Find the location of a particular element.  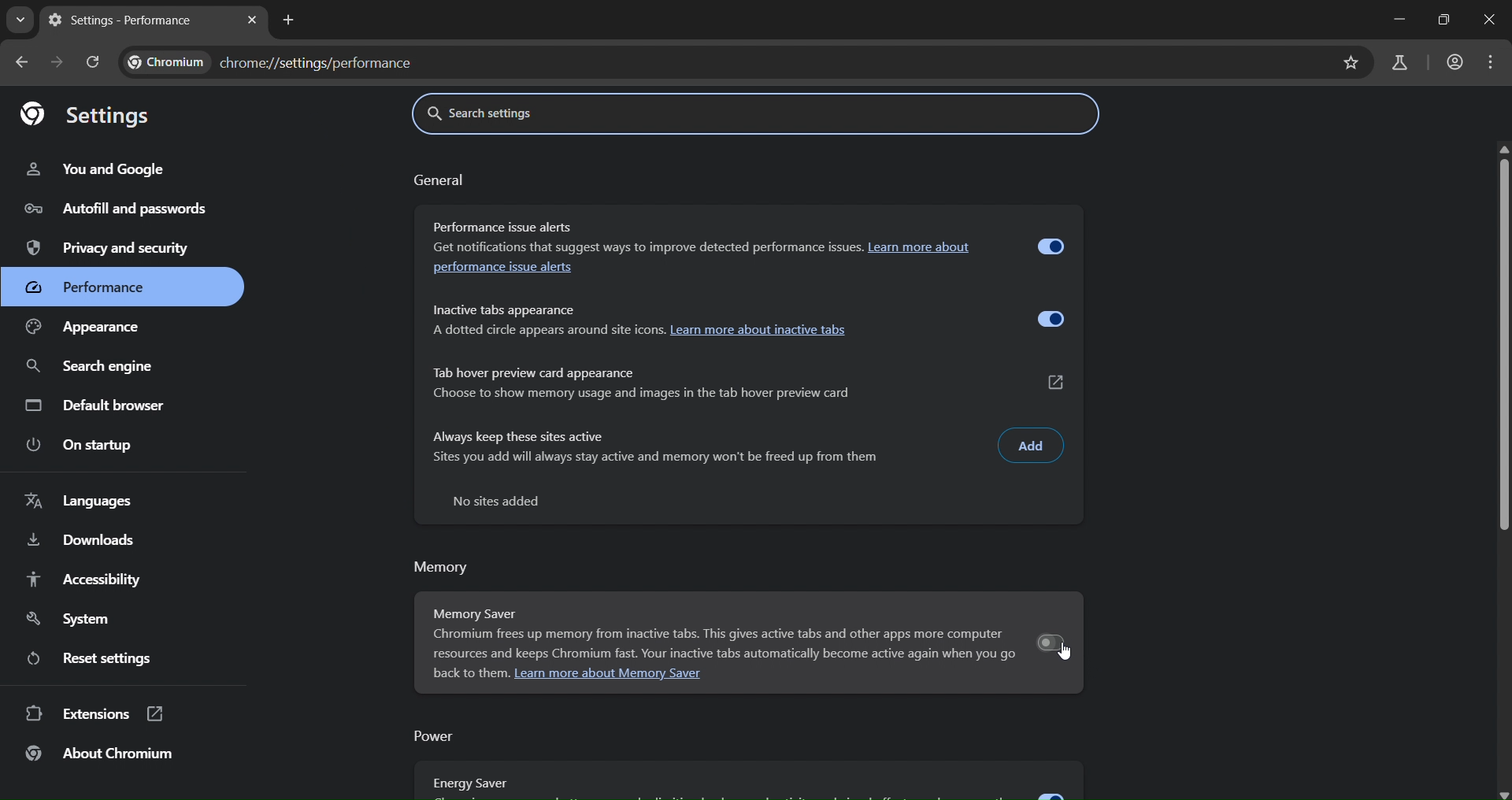

maximize is located at coordinates (1444, 20).